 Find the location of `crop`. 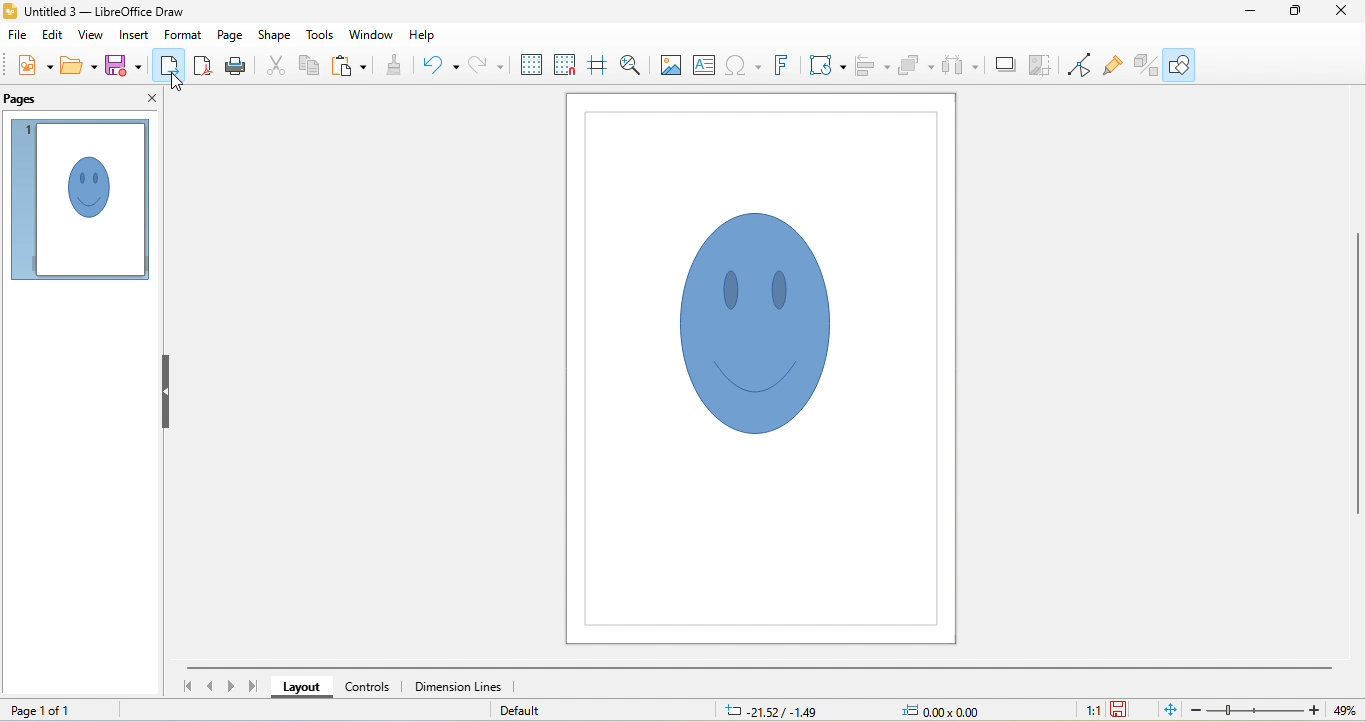

crop is located at coordinates (1042, 65).